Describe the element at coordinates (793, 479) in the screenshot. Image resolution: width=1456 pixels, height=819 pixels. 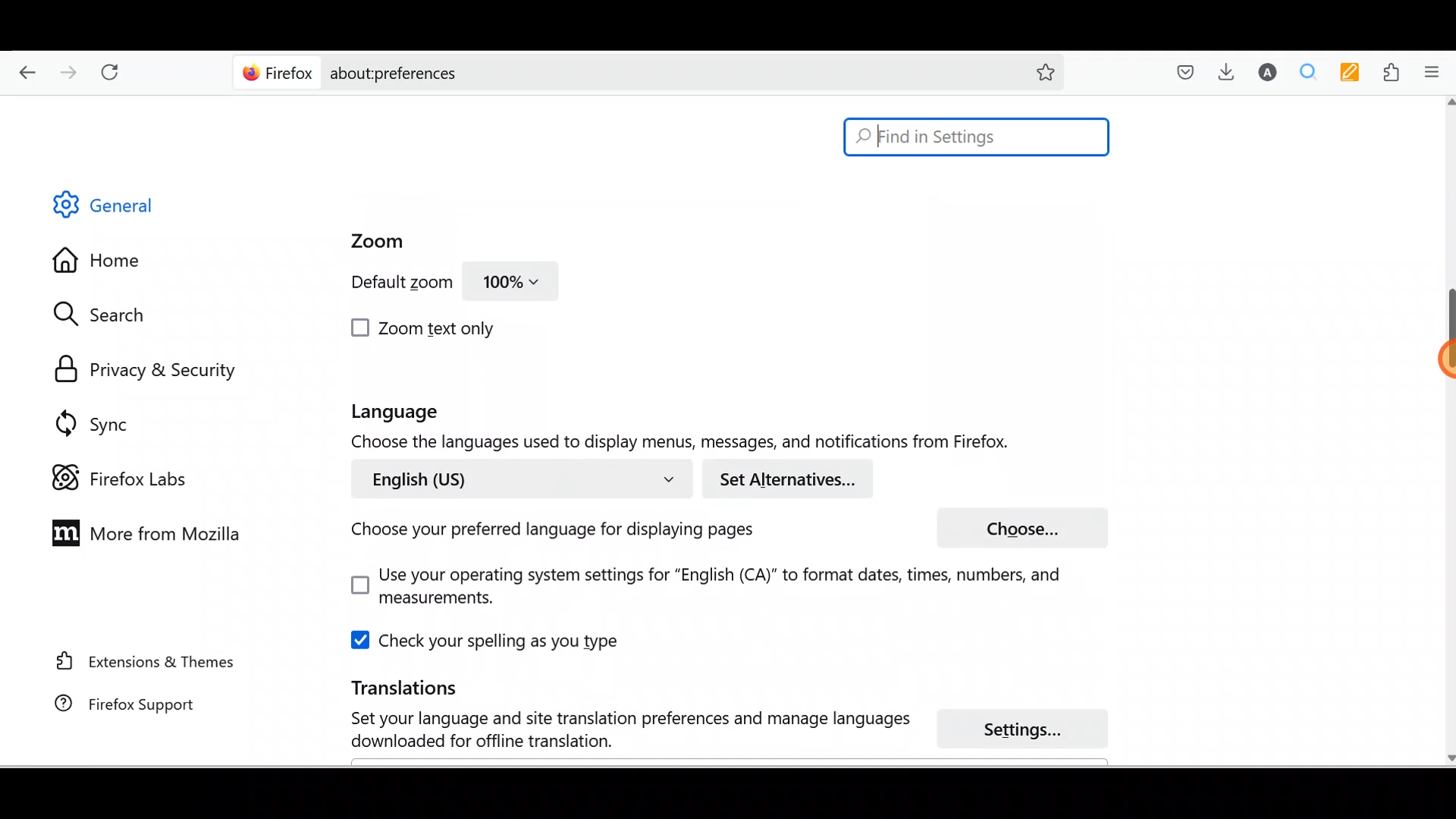
I see `Set alternatives` at that location.